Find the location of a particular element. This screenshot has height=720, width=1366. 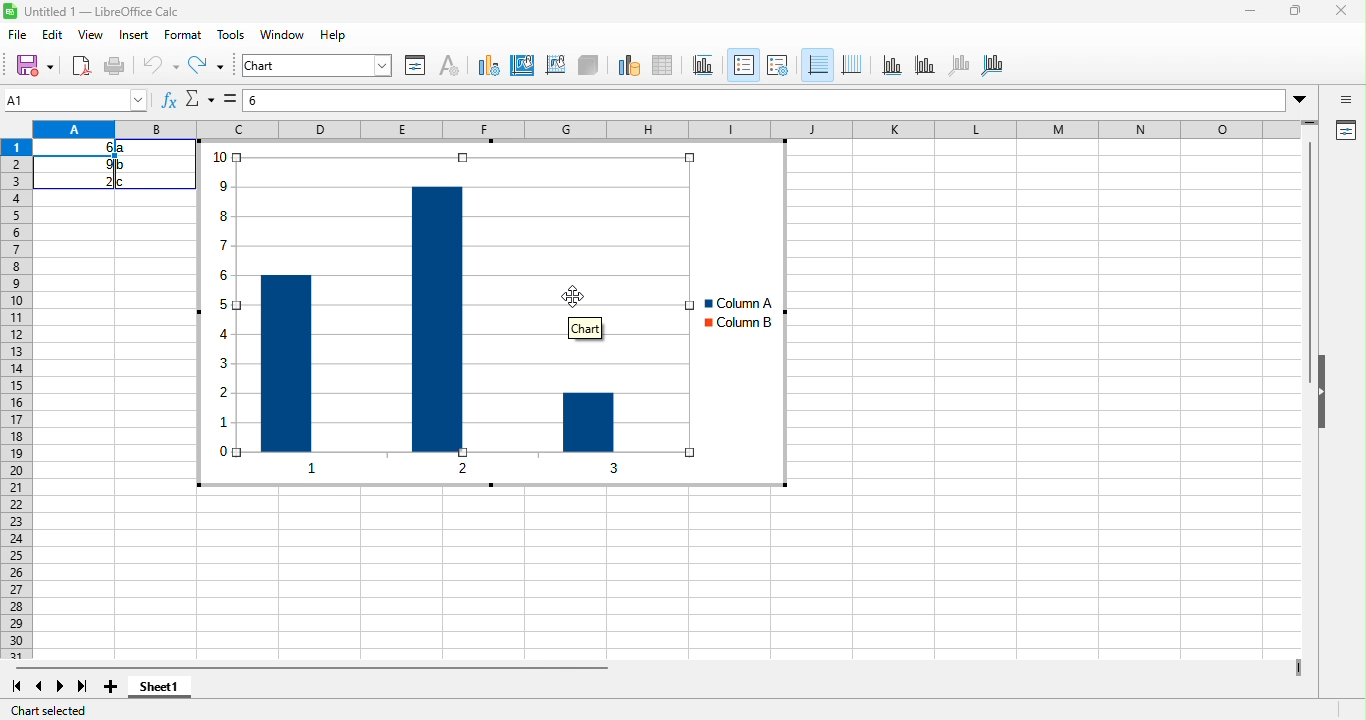

data ranges is located at coordinates (628, 66).